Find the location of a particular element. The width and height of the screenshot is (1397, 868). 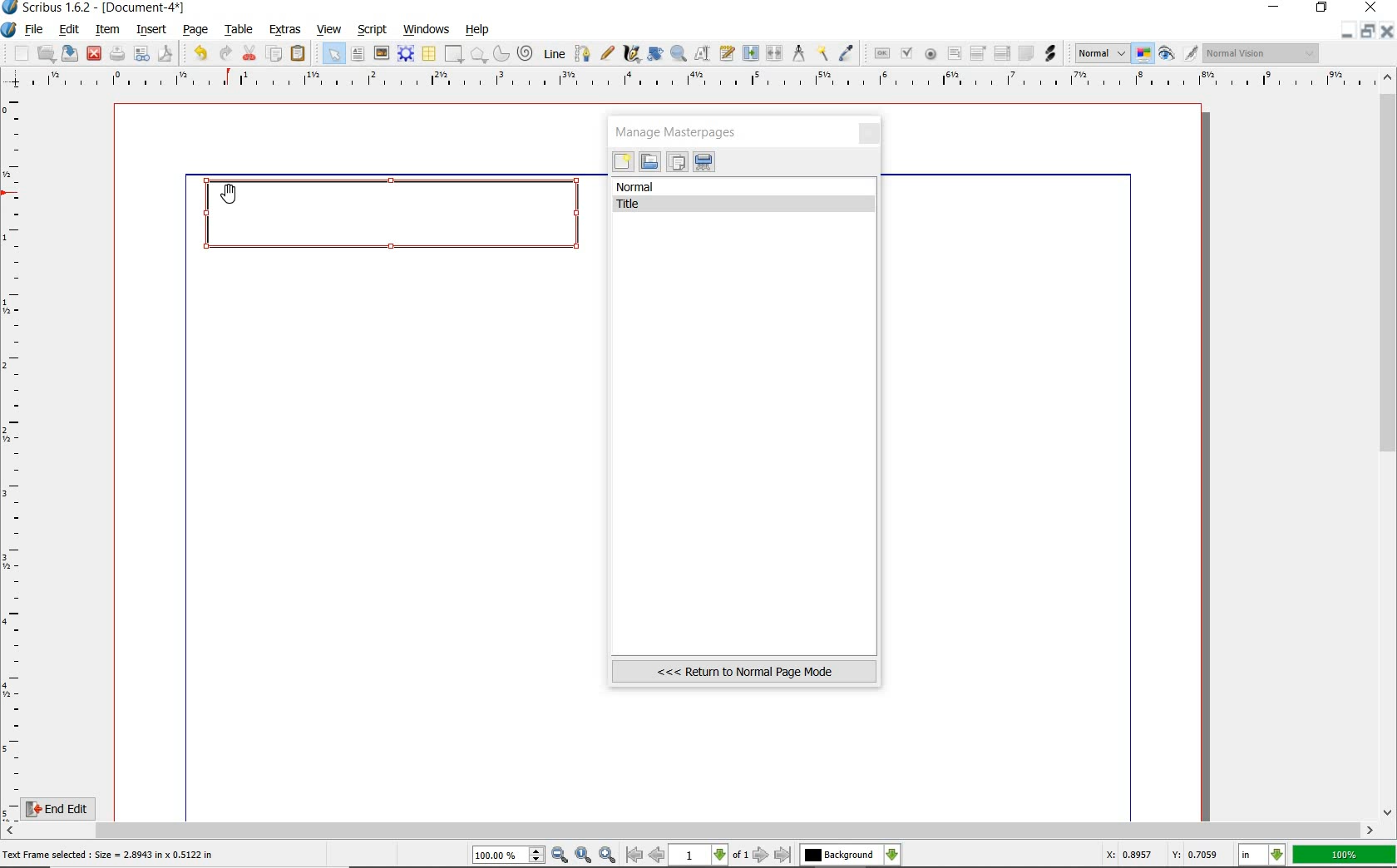

X: 0.8957  Y: 0.7059 is located at coordinates (1163, 854).